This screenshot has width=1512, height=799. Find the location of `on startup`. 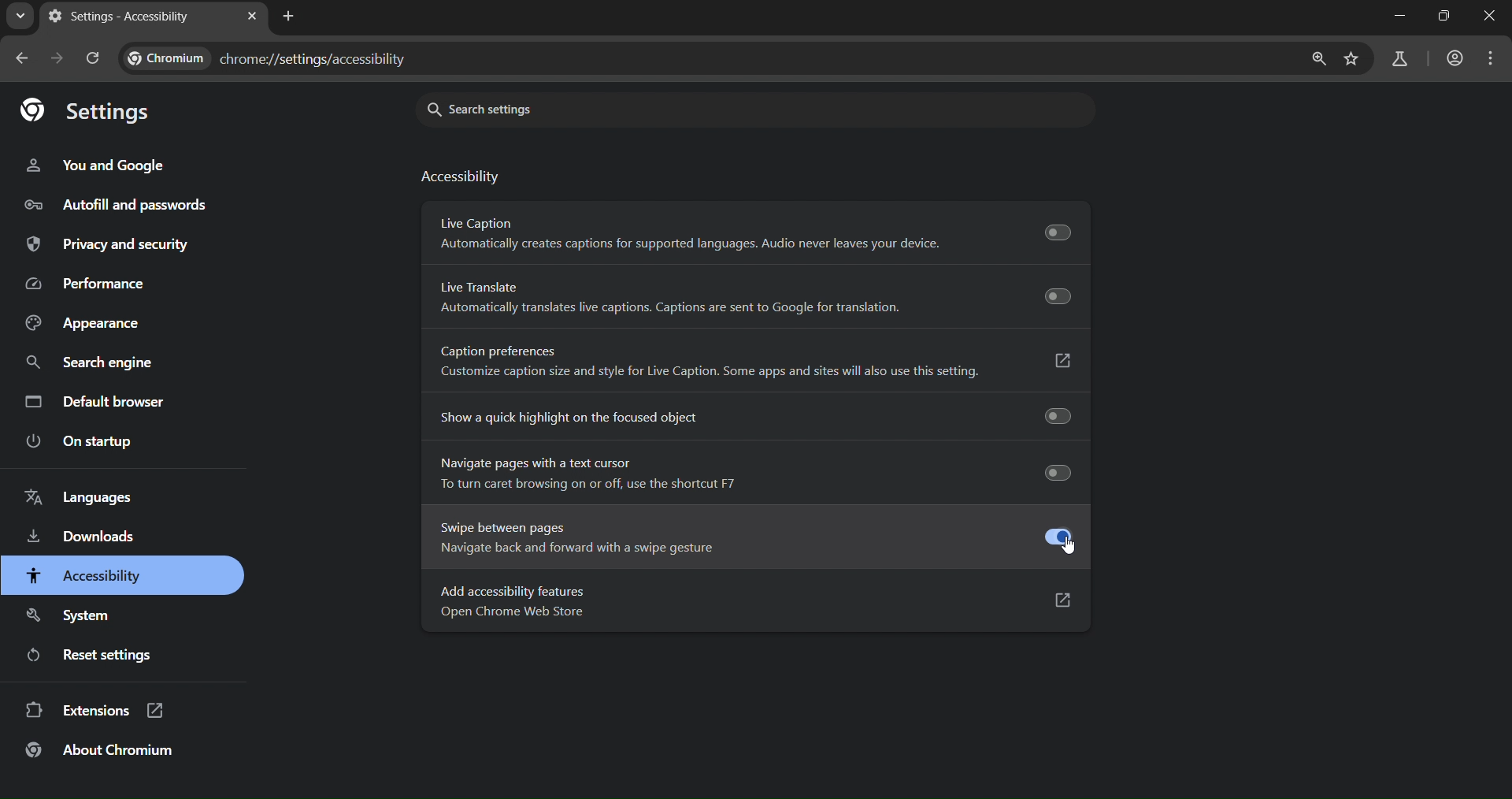

on startup is located at coordinates (81, 442).